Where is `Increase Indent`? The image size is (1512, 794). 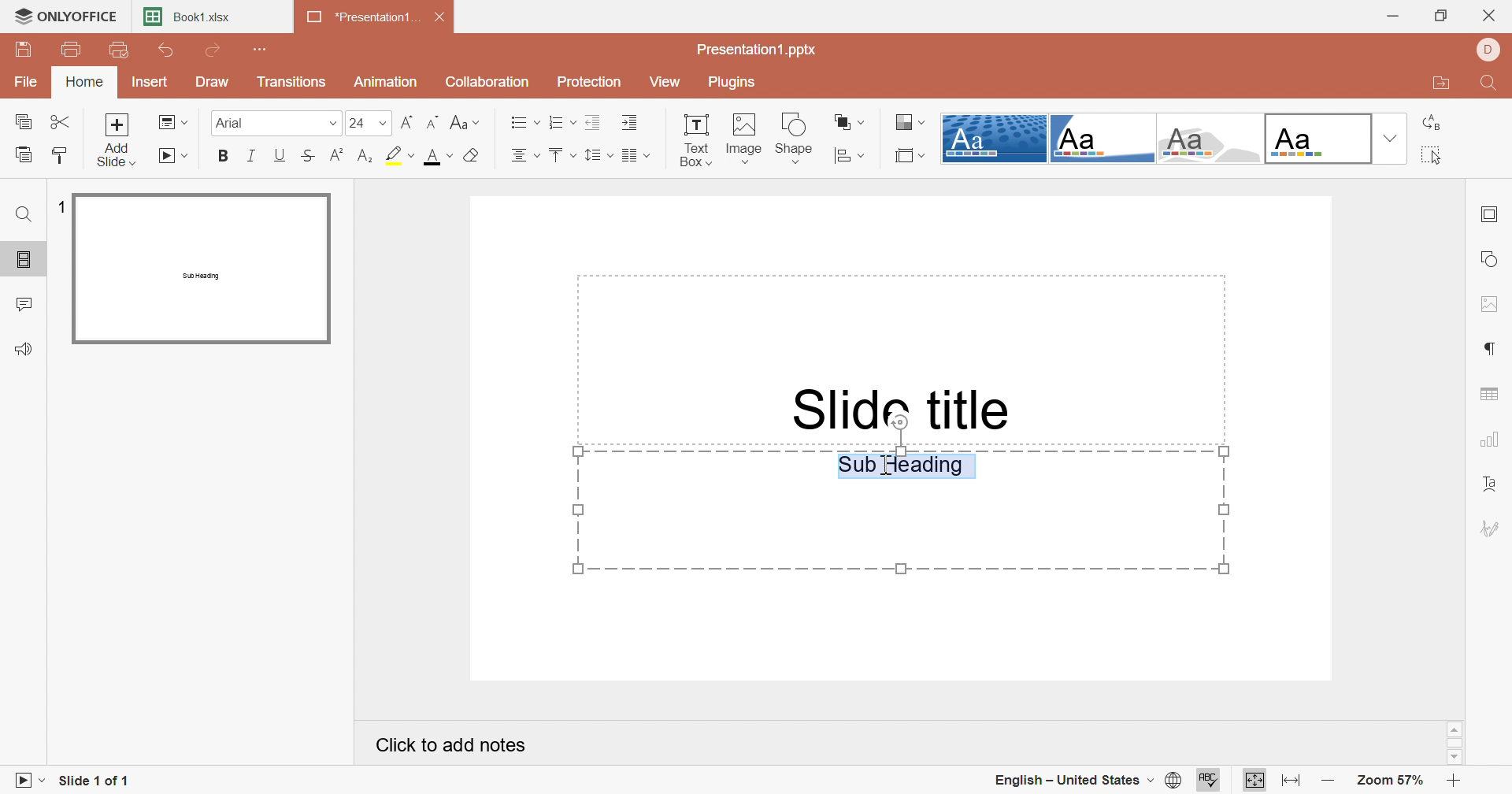
Increase Indent is located at coordinates (629, 121).